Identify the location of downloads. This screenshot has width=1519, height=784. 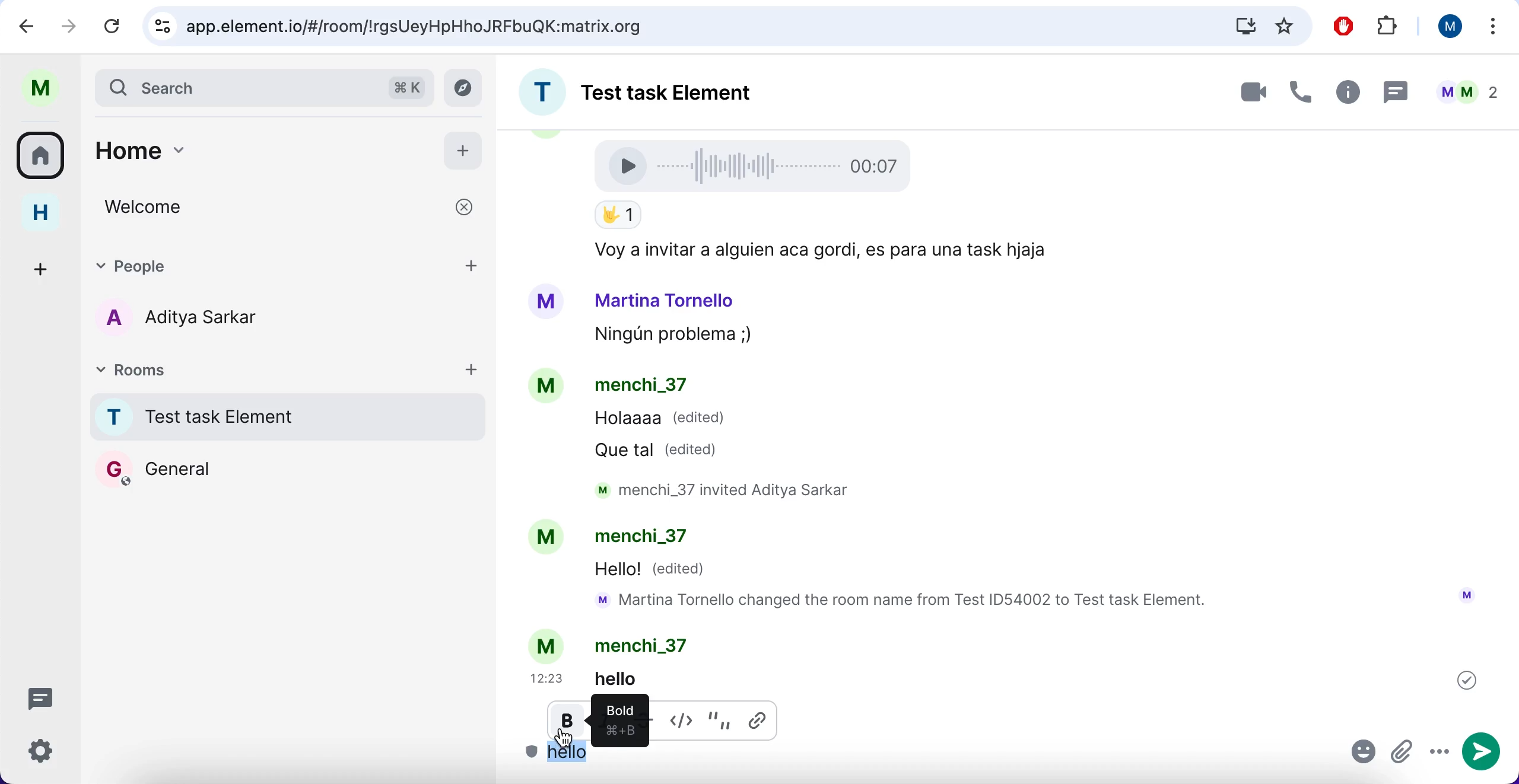
(1244, 26).